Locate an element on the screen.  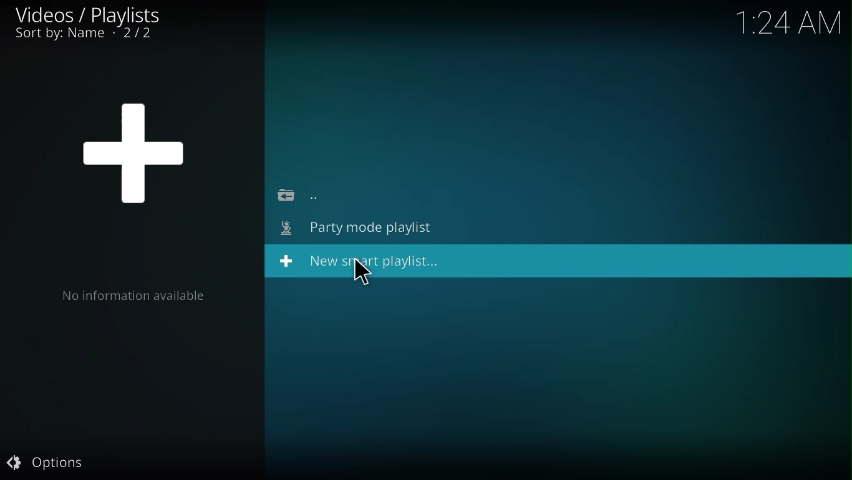
party mode playlist is located at coordinates (363, 228).